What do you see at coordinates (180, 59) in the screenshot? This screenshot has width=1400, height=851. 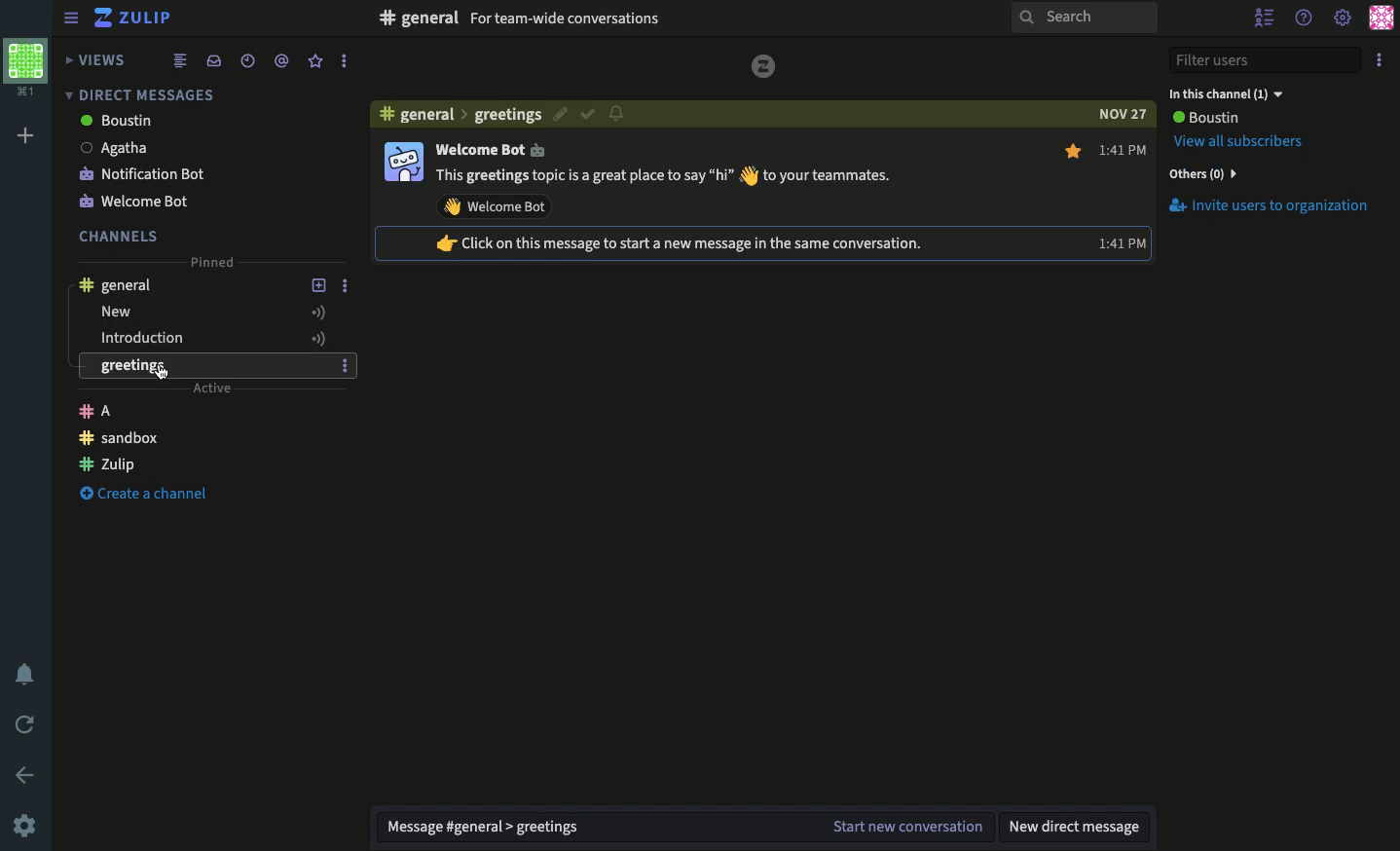 I see `Feed` at bounding box center [180, 59].